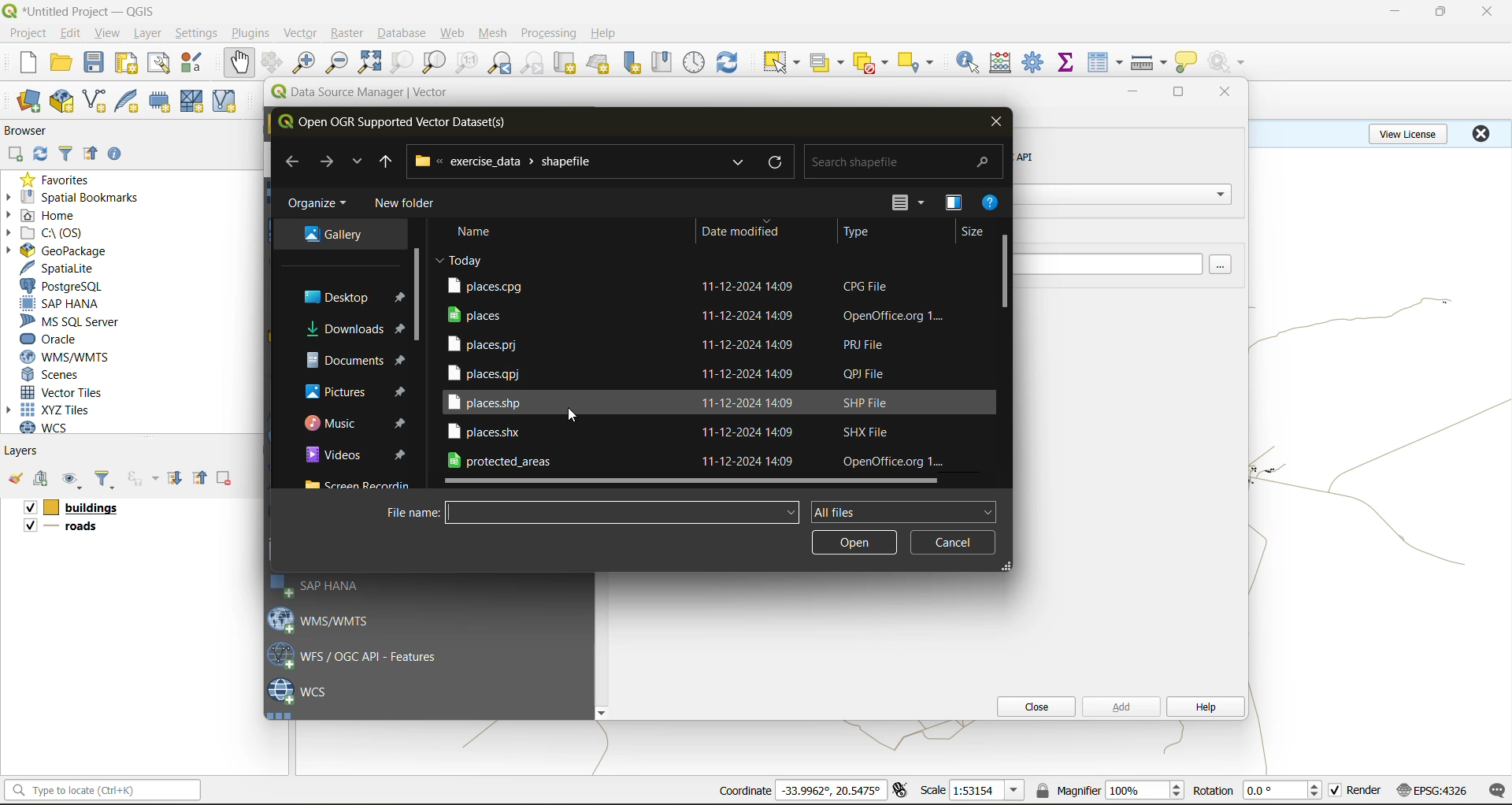 This screenshot has height=805, width=1512. Describe the element at coordinates (830, 65) in the screenshot. I see `select value` at that location.